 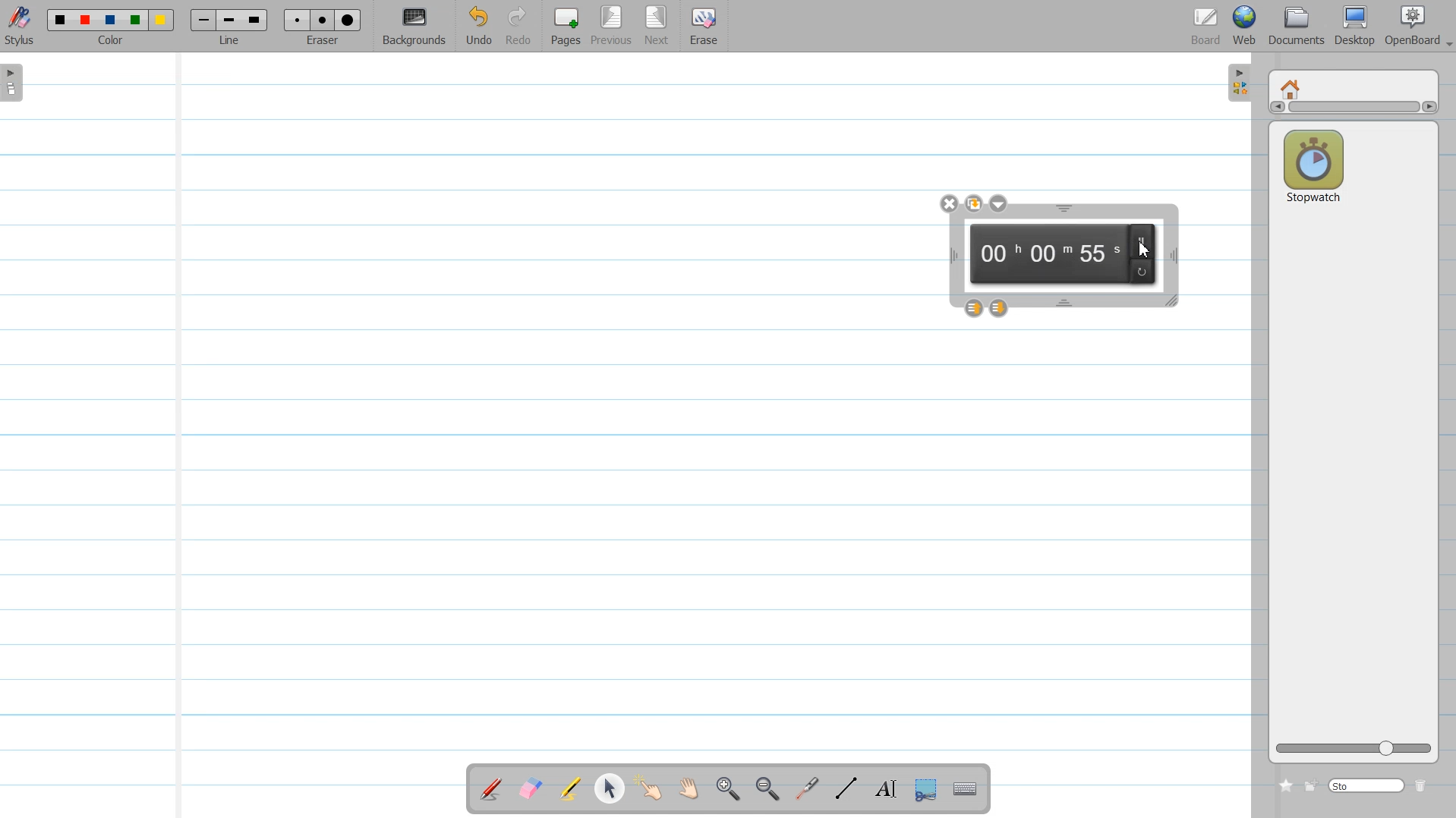 What do you see at coordinates (999, 203) in the screenshot?
I see `Drop down box` at bounding box center [999, 203].